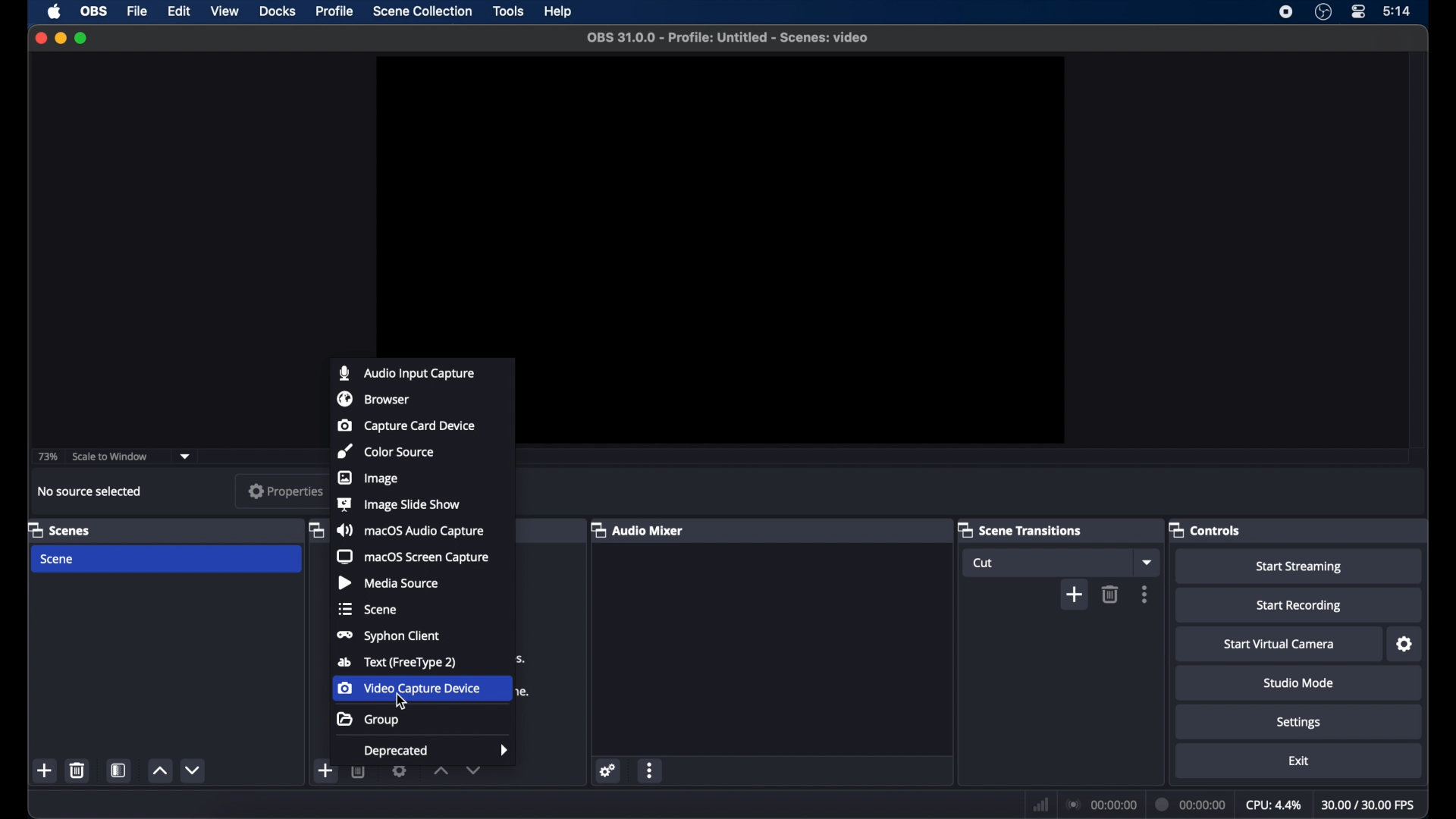 The height and width of the screenshot is (819, 1456). What do you see at coordinates (44, 771) in the screenshot?
I see `add` at bounding box center [44, 771].